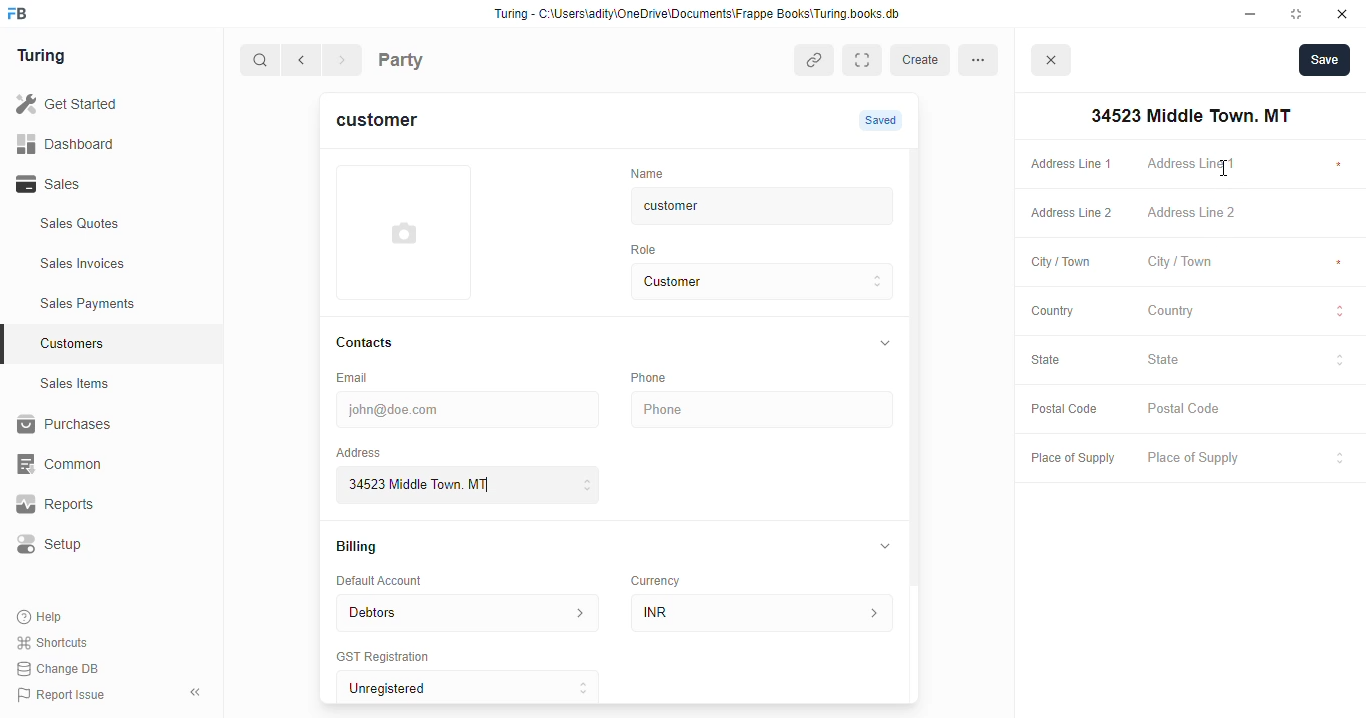 This screenshot has width=1366, height=718. What do you see at coordinates (1248, 313) in the screenshot?
I see `Country` at bounding box center [1248, 313].